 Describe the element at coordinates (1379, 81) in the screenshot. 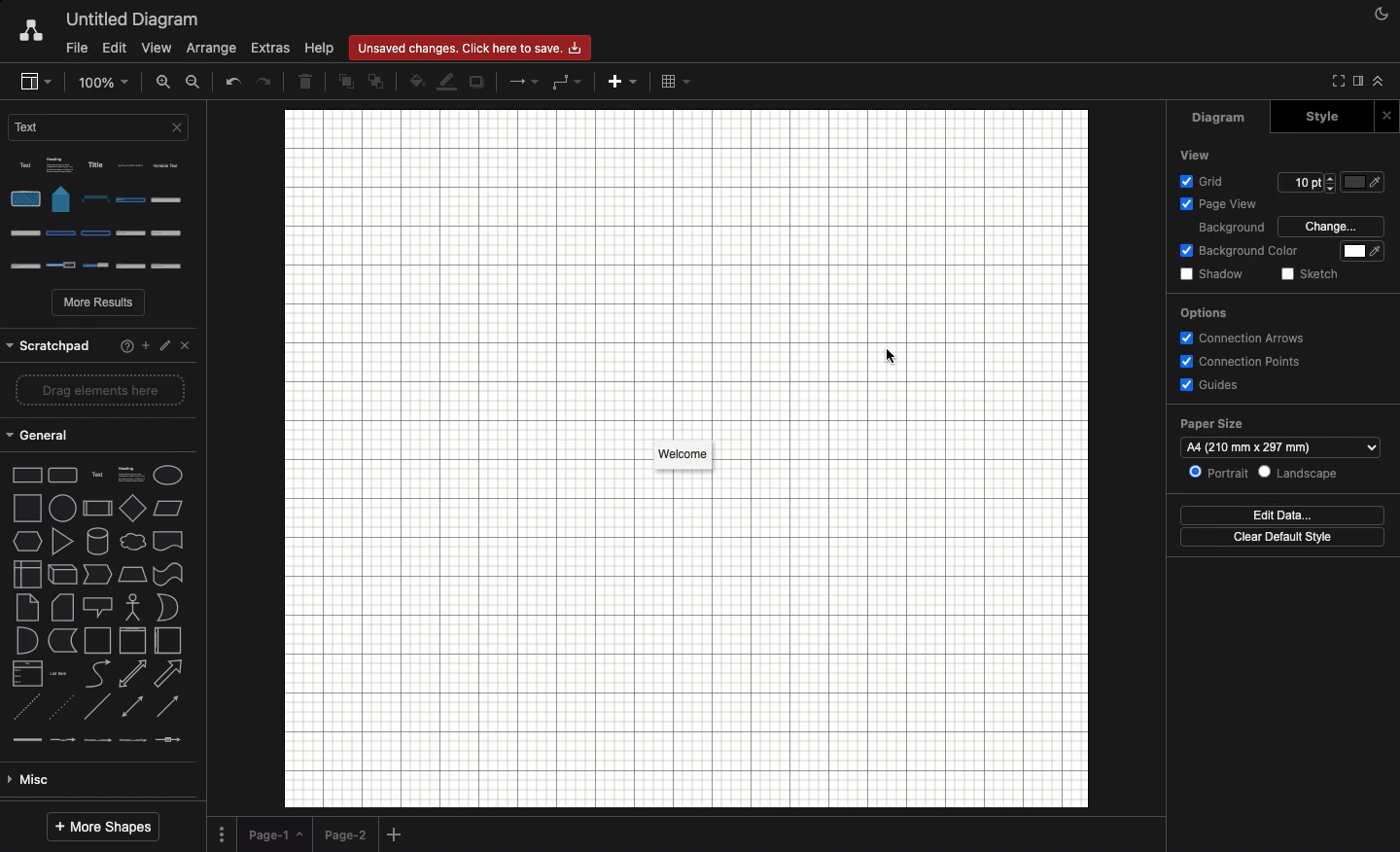

I see `Collapse` at that location.